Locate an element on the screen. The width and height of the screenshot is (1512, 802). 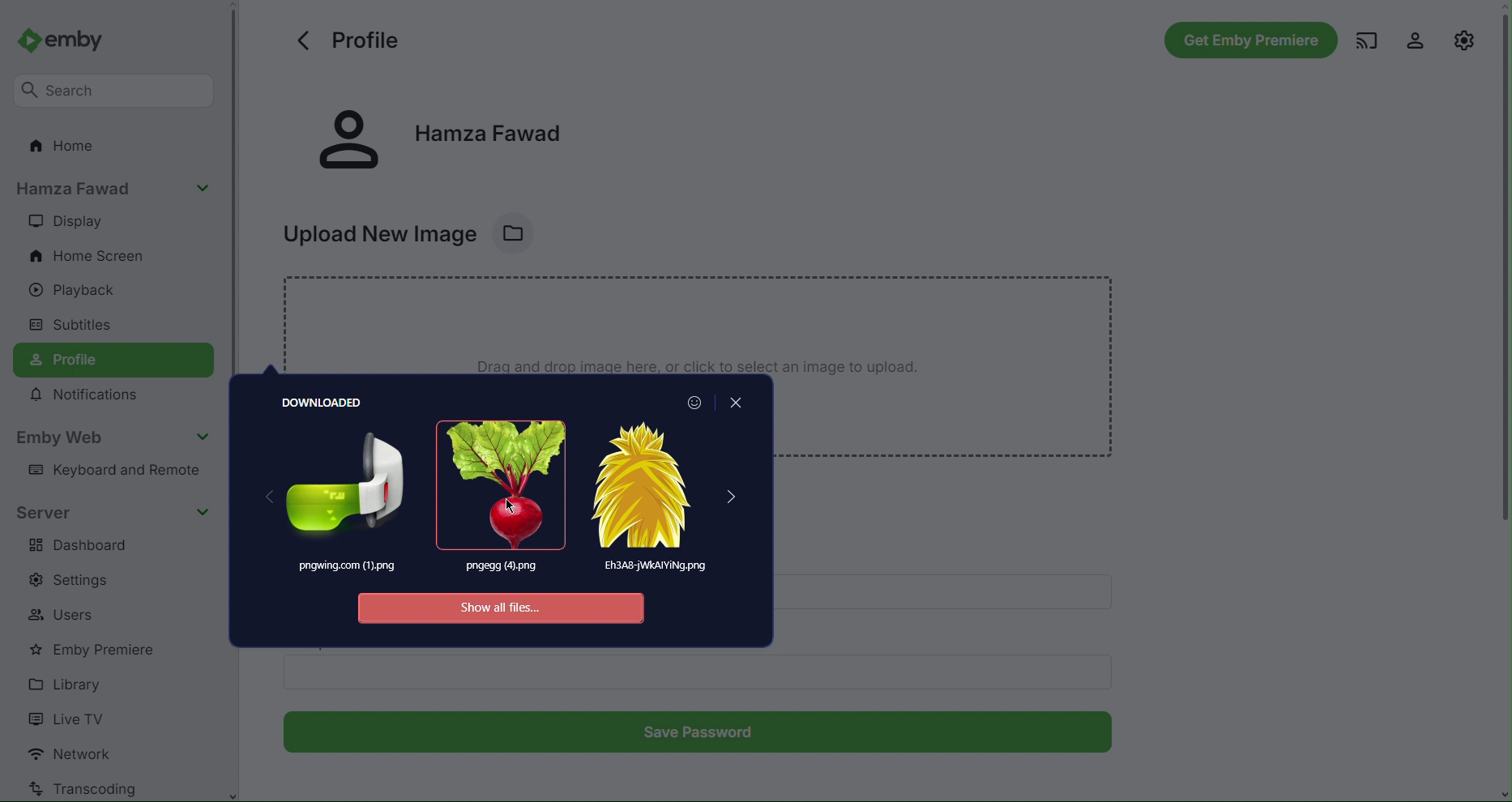
Emby is located at coordinates (68, 37).